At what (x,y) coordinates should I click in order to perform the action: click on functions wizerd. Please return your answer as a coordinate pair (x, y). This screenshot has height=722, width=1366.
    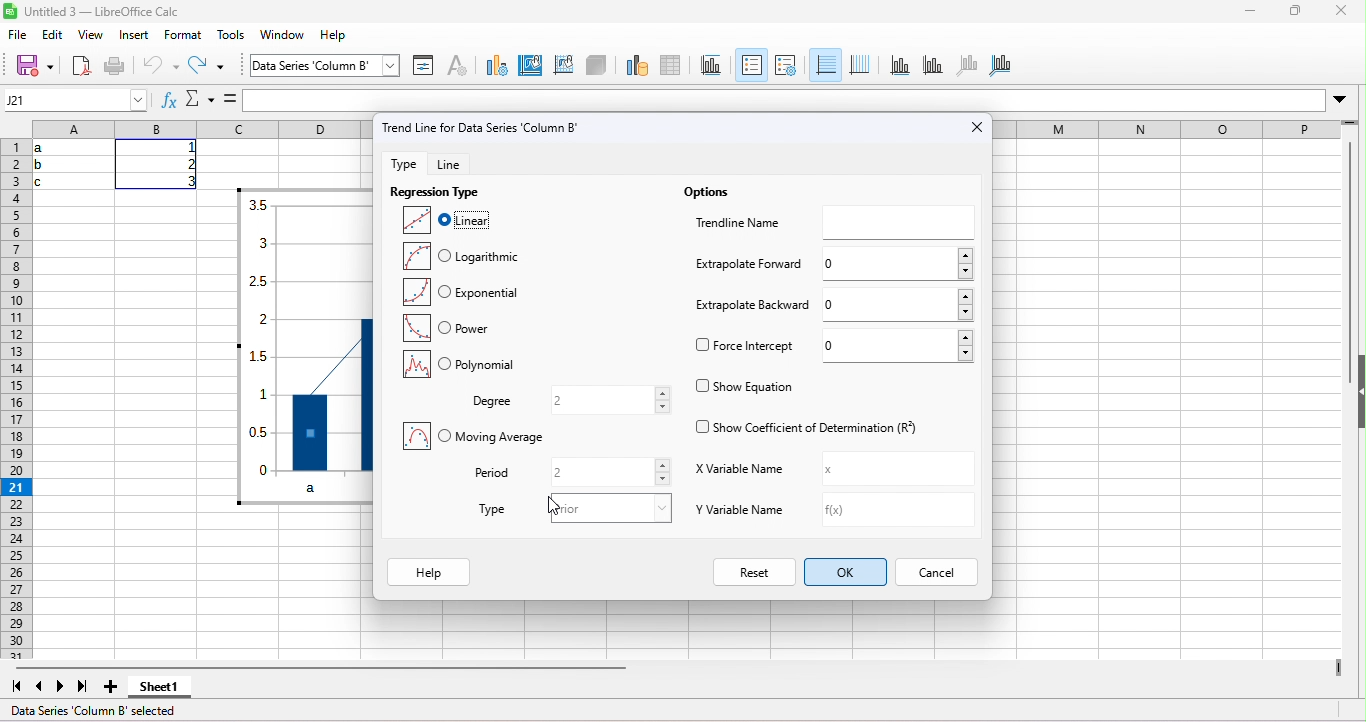
    Looking at the image, I should click on (167, 99).